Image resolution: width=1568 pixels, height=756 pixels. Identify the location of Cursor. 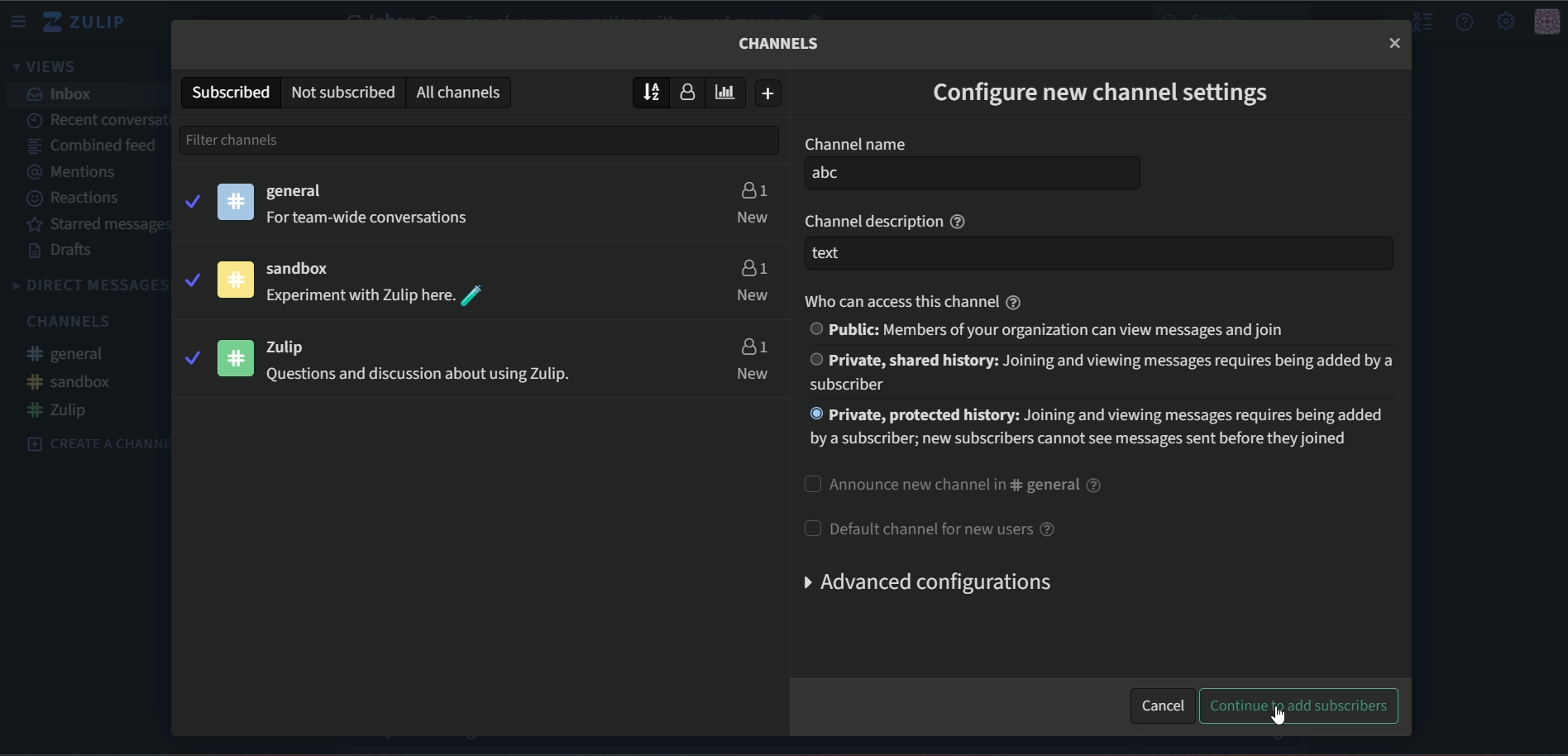
(1276, 716).